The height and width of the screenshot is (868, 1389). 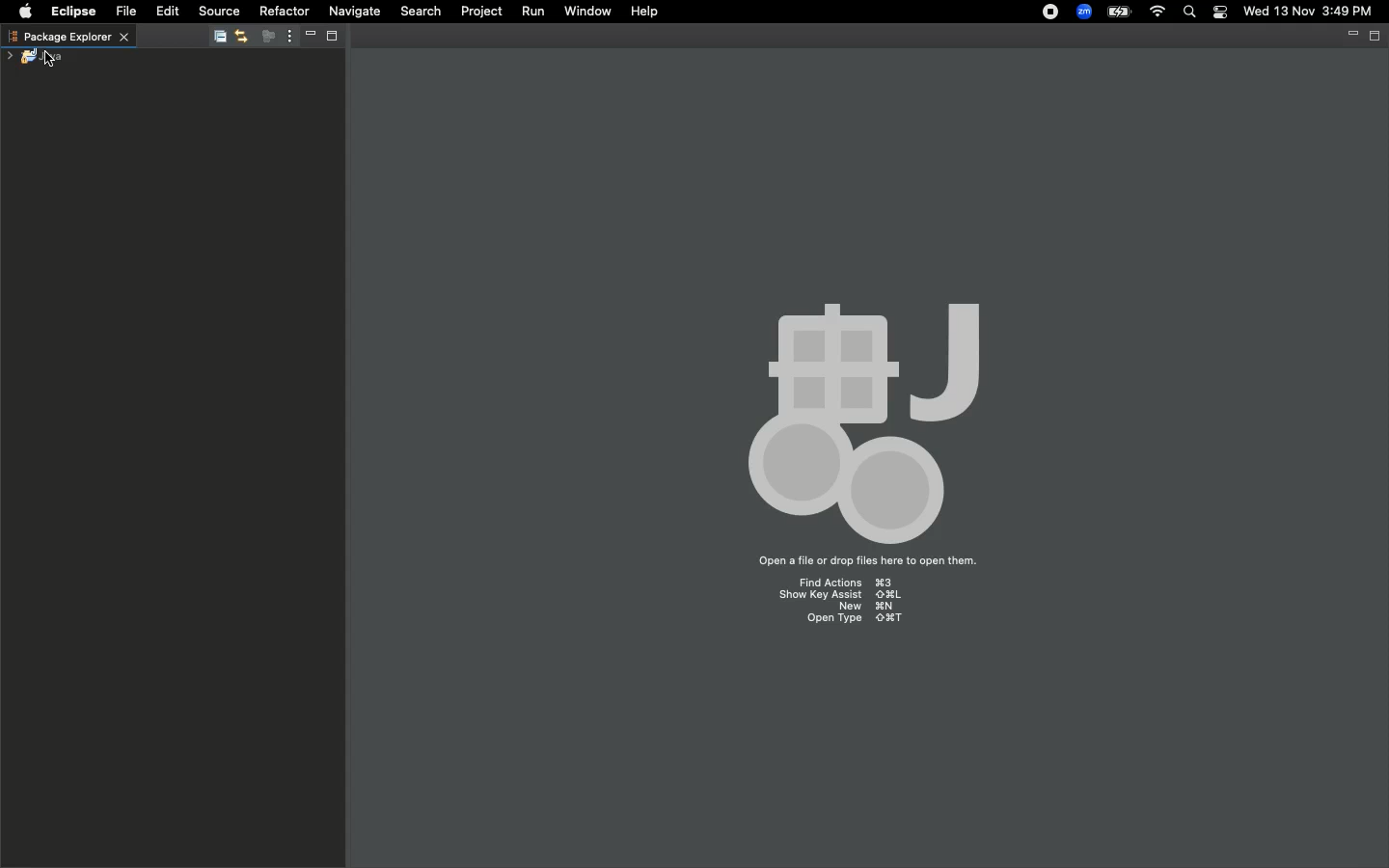 What do you see at coordinates (1222, 13) in the screenshot?
I see `Notification` at bounding box center [1222, 13].